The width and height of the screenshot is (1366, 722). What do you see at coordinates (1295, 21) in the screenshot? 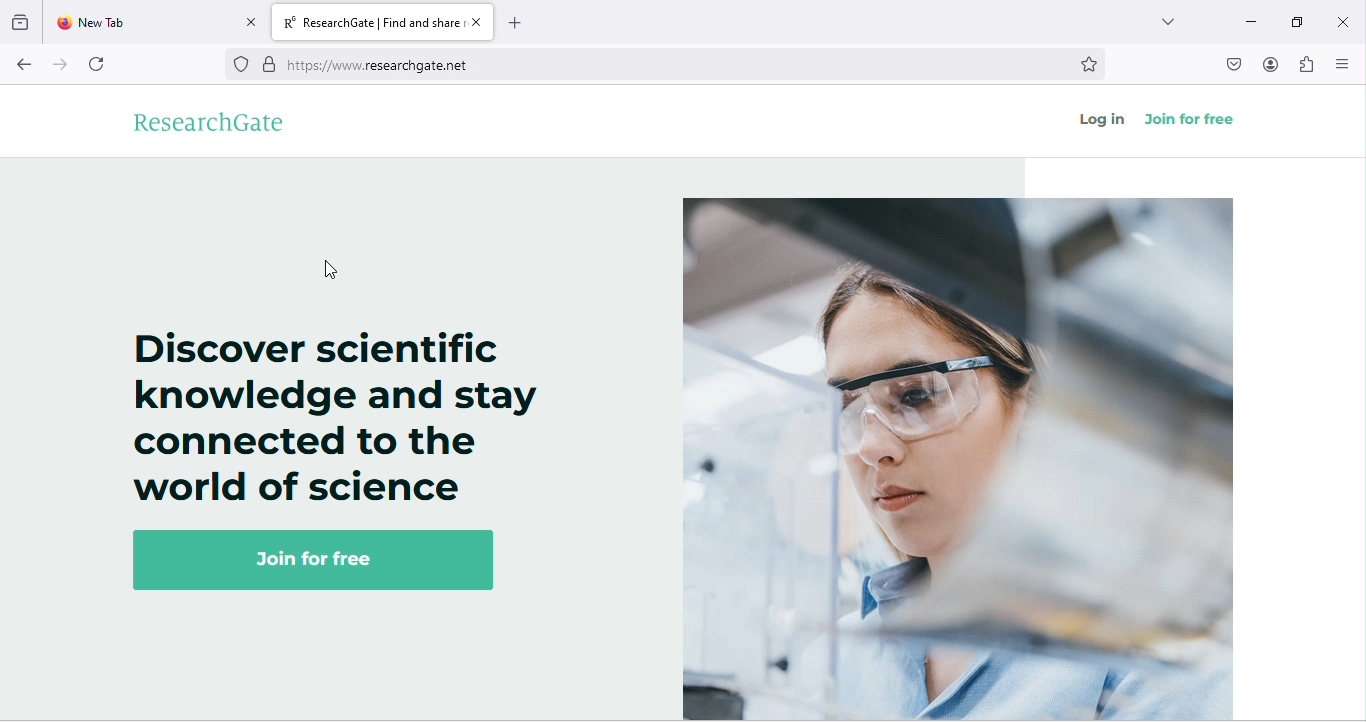
I see `maximize` at bounding box center [1295, 21].